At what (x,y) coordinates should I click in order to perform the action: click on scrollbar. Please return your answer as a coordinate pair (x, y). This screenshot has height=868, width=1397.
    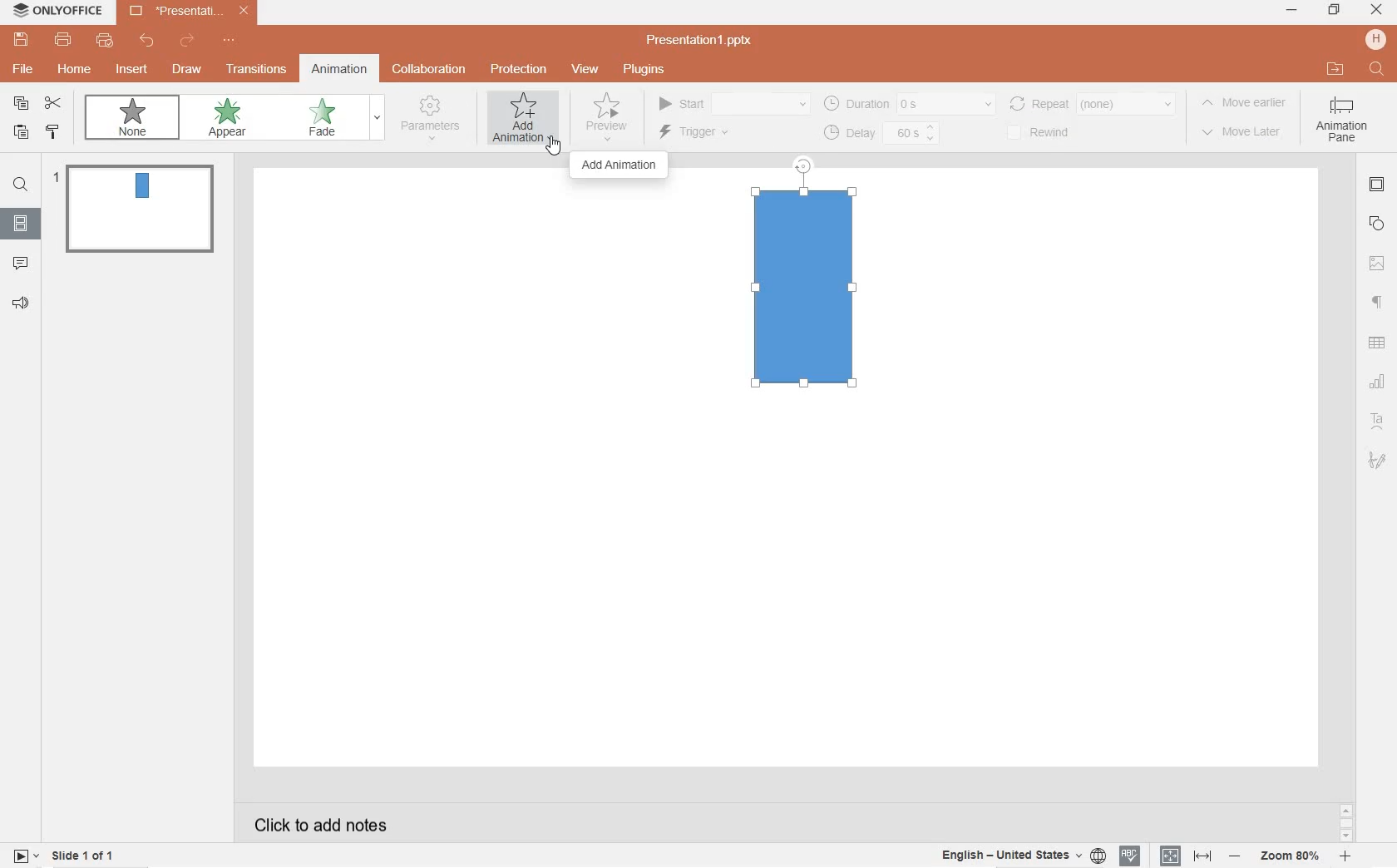
    Looking at the image, I should click on (1345, 822).